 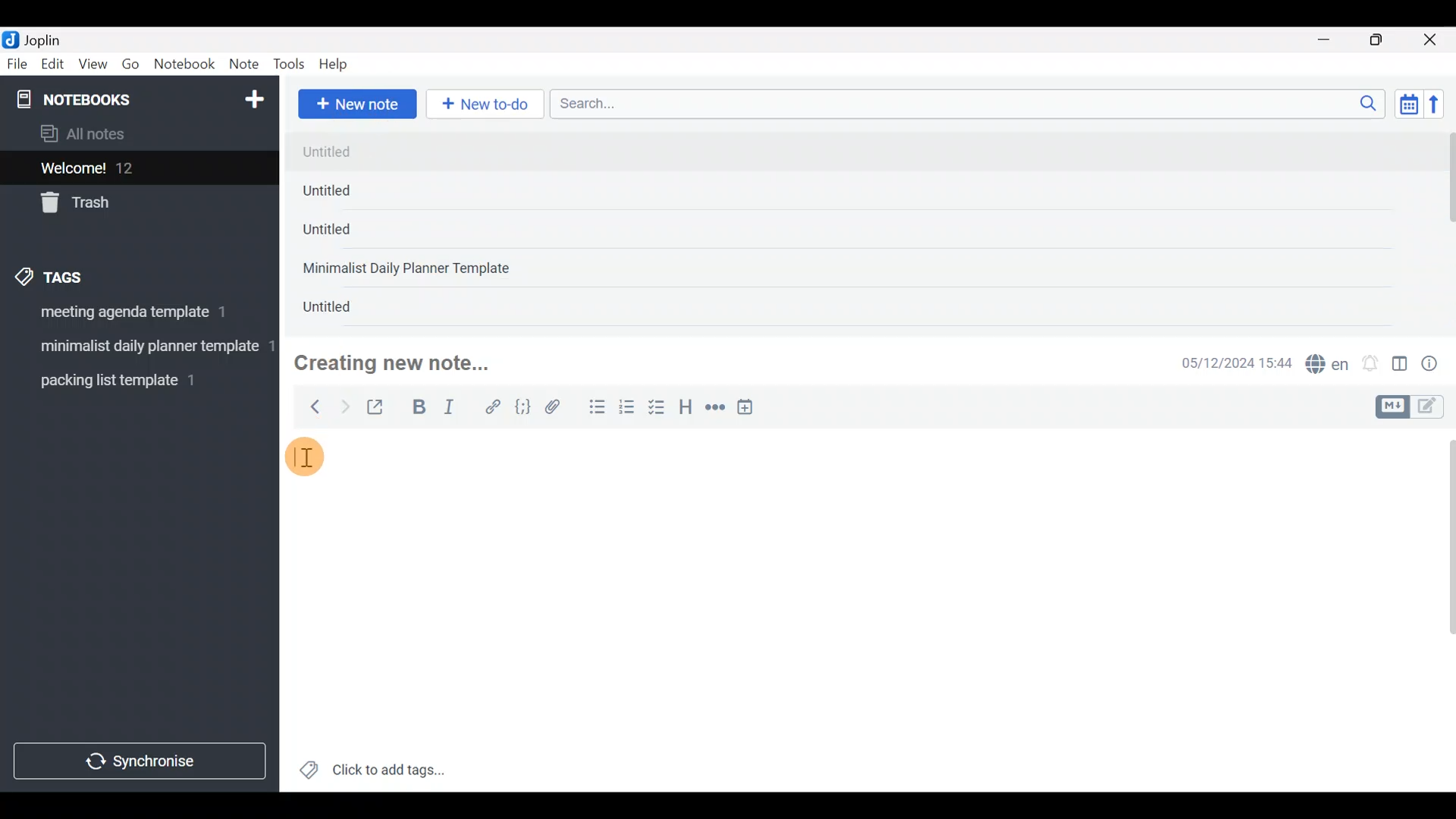 What do you see at coordinates (1401, 366) in the screenshot?
I see `Toggle editor layout` at bounding box center [1401, 366].